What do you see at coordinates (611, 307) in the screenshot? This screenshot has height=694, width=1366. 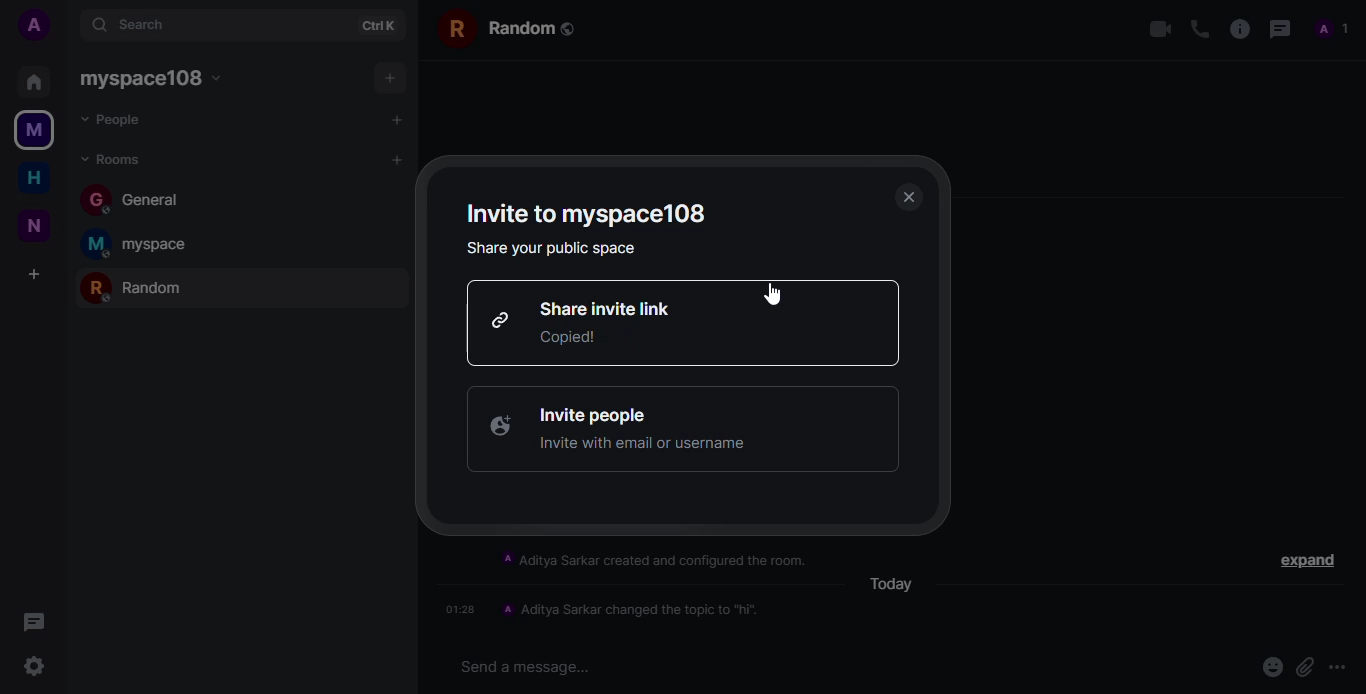 I see `share` at bounding box center [611, 307].